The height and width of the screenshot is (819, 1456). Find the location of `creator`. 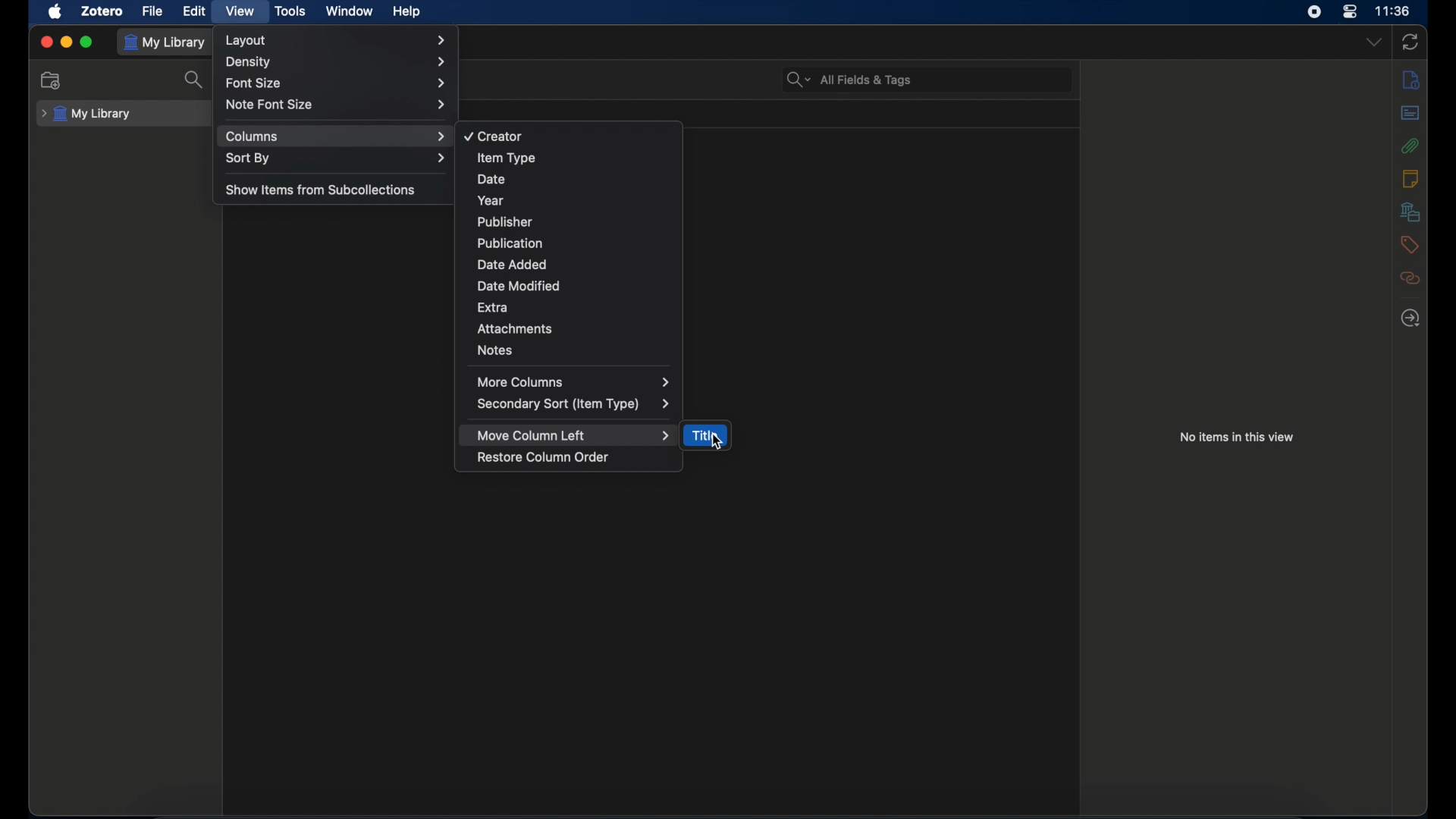

creator is located at coordinates (495, 137).